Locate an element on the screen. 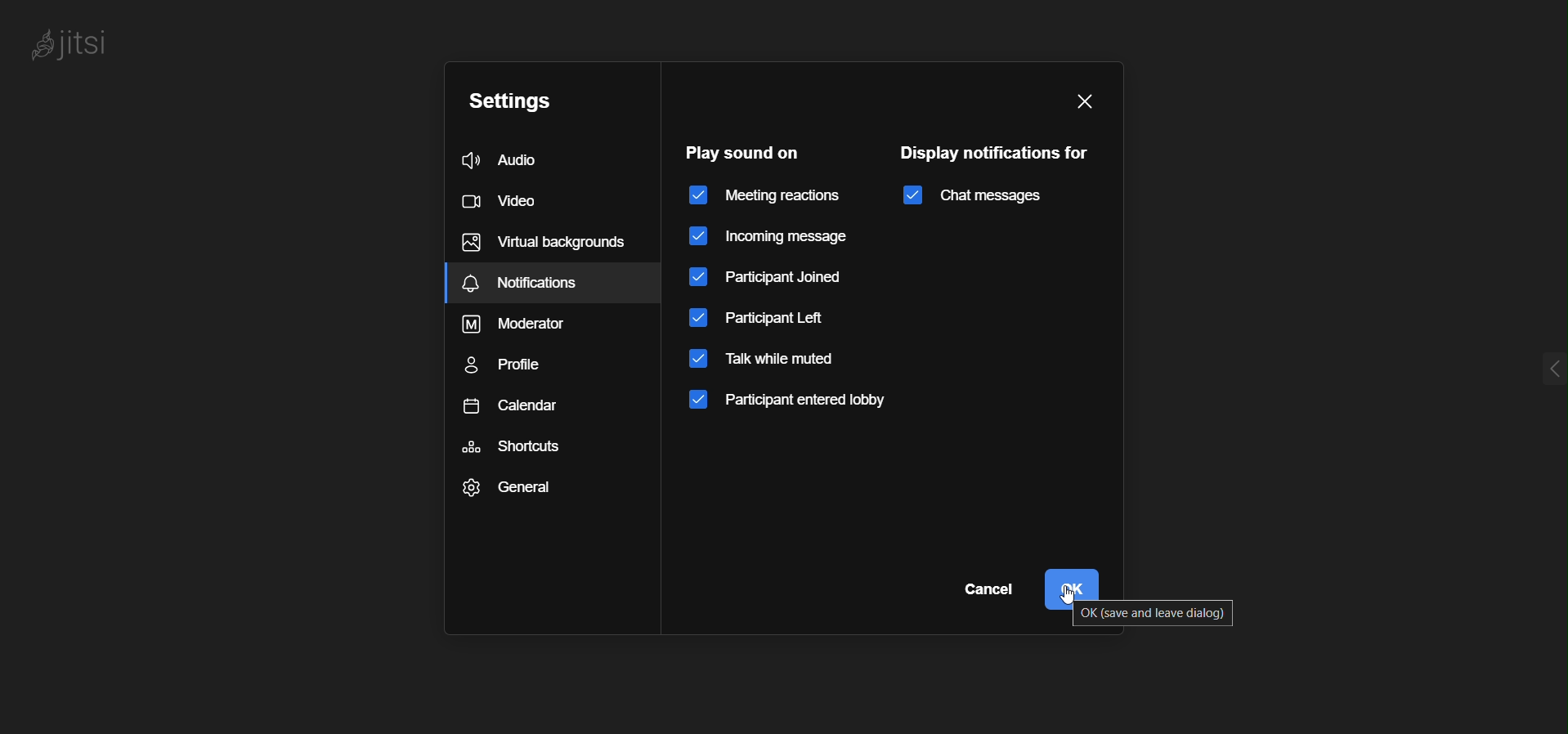 This screenshot has width=1568, height=734. display notification for is located at coordinates (995, 150).